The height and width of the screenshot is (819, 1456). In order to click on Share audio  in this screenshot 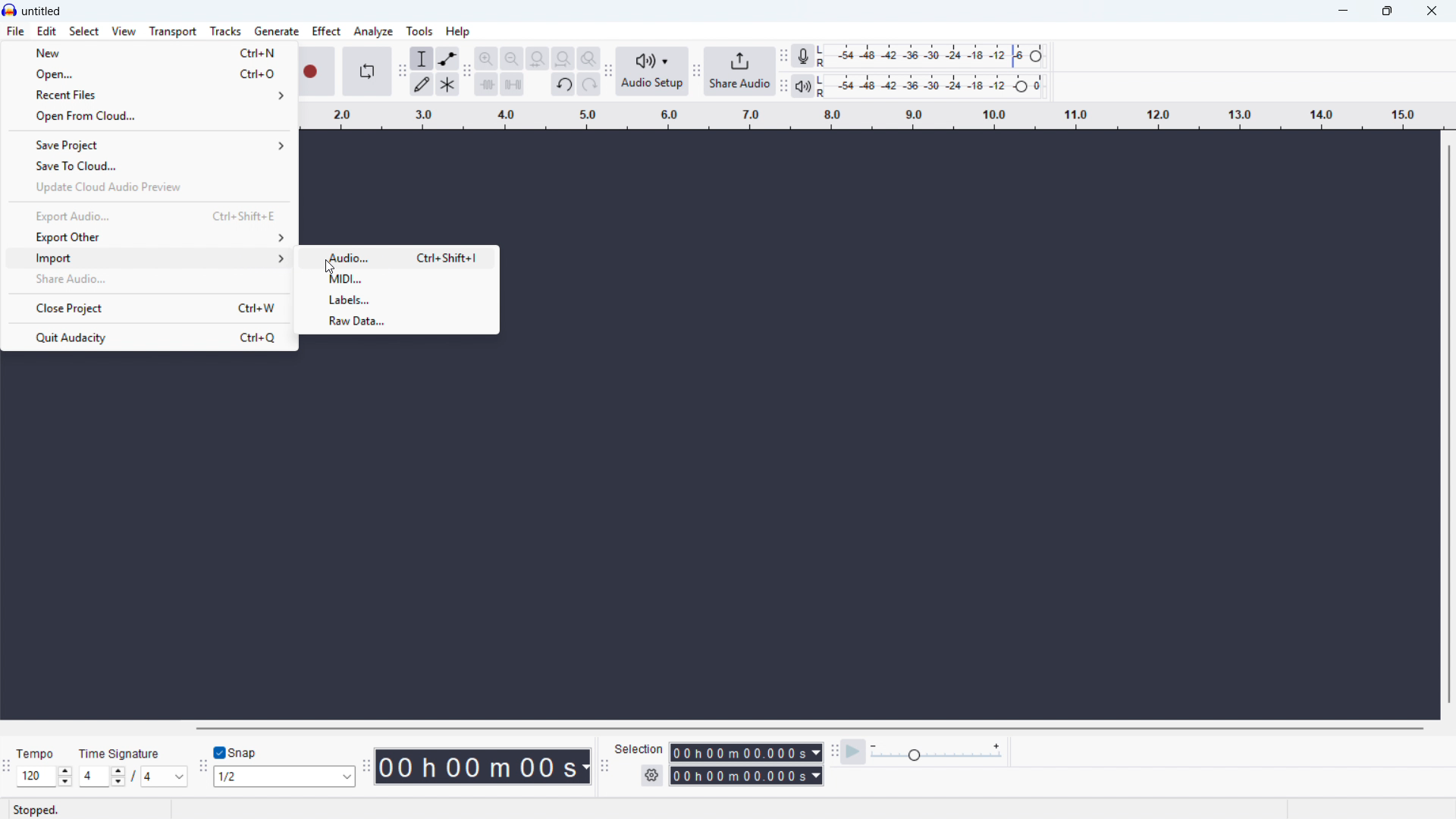, I will do `click(740, 72)`.